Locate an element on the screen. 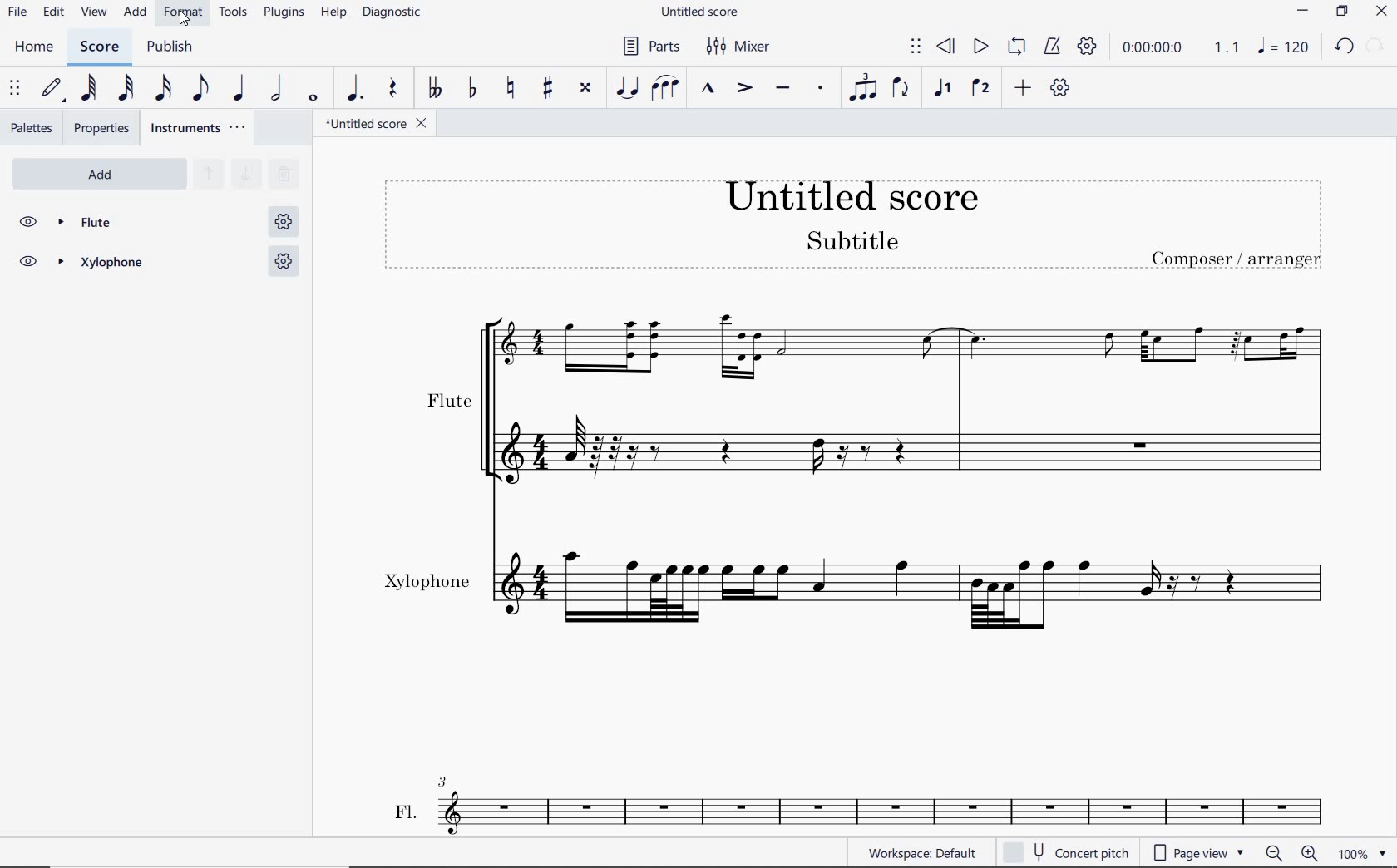 This screenshot has height=868, width=1397. MINIMIZE is located at coordinates (1301, 11).